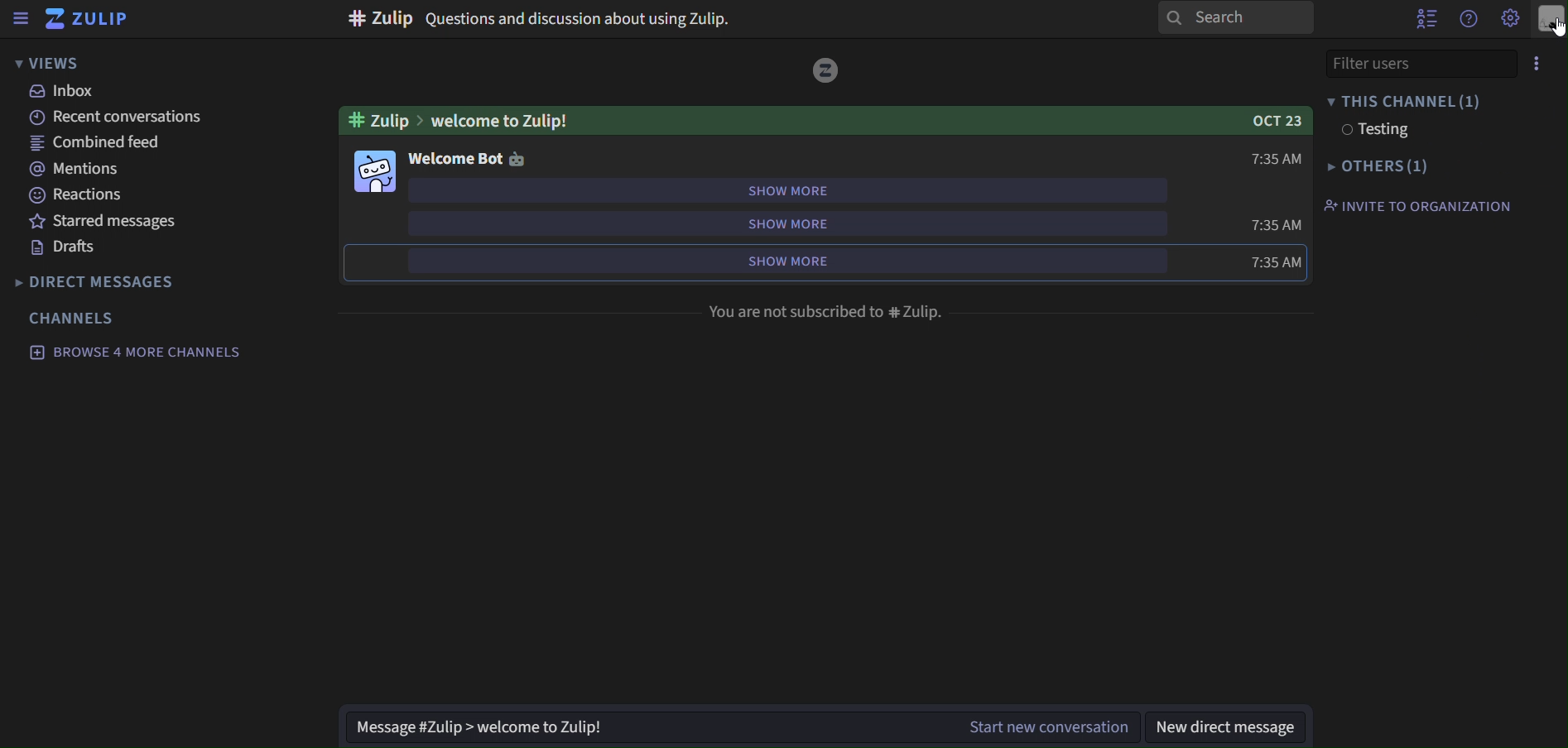 The image size is (1568, 748). What do you see at coordinates (108, 222) in the screenshot?
I see `starredmessages` at bounding box center [108, 222].